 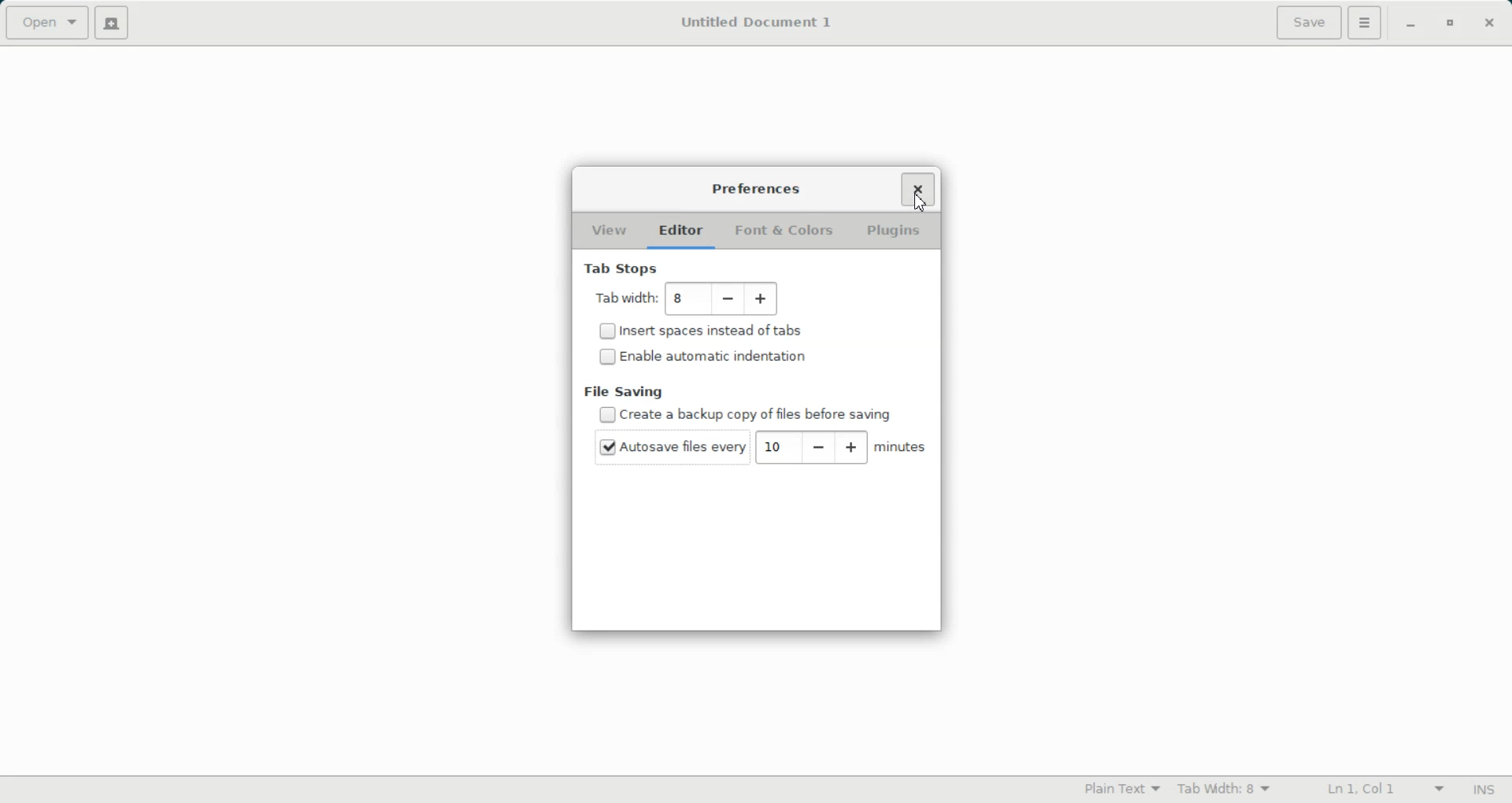 I want to click on Disable/ Enable automatic indentation, so click(x=702, y=355).